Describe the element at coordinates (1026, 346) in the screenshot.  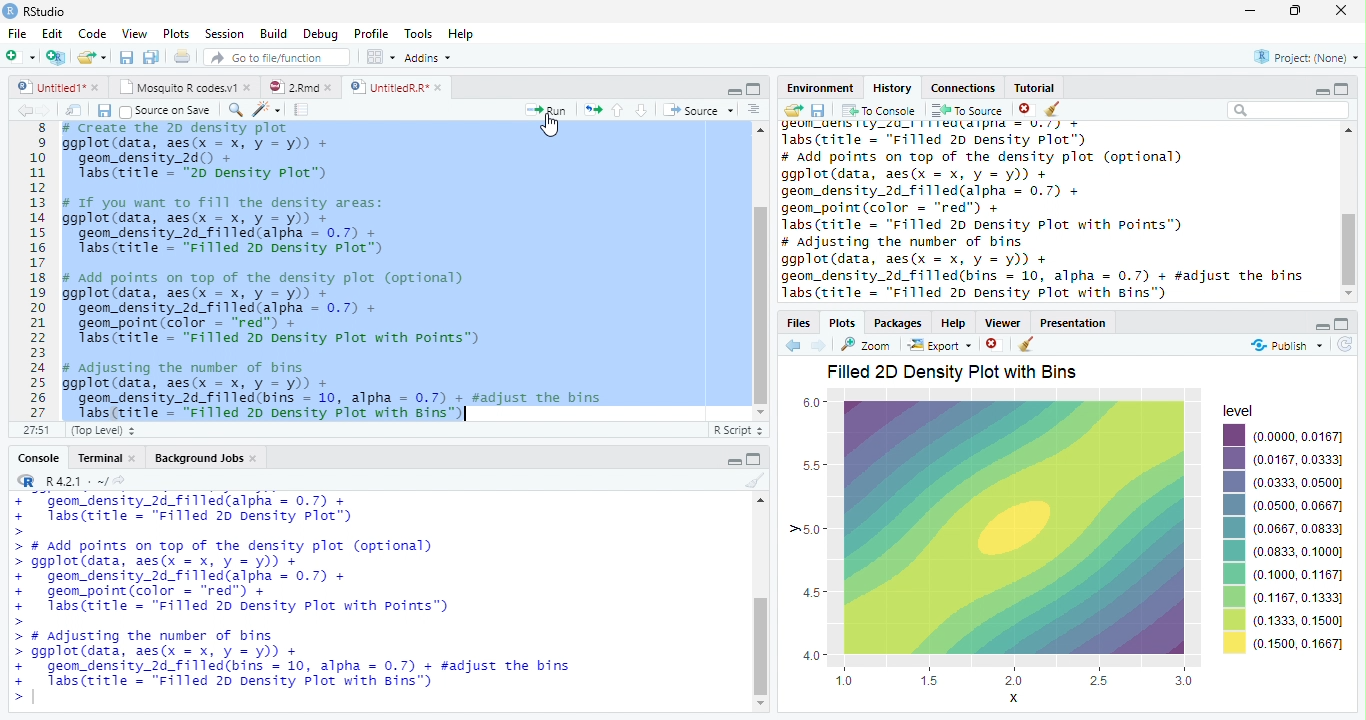
I see `clear` at that location.